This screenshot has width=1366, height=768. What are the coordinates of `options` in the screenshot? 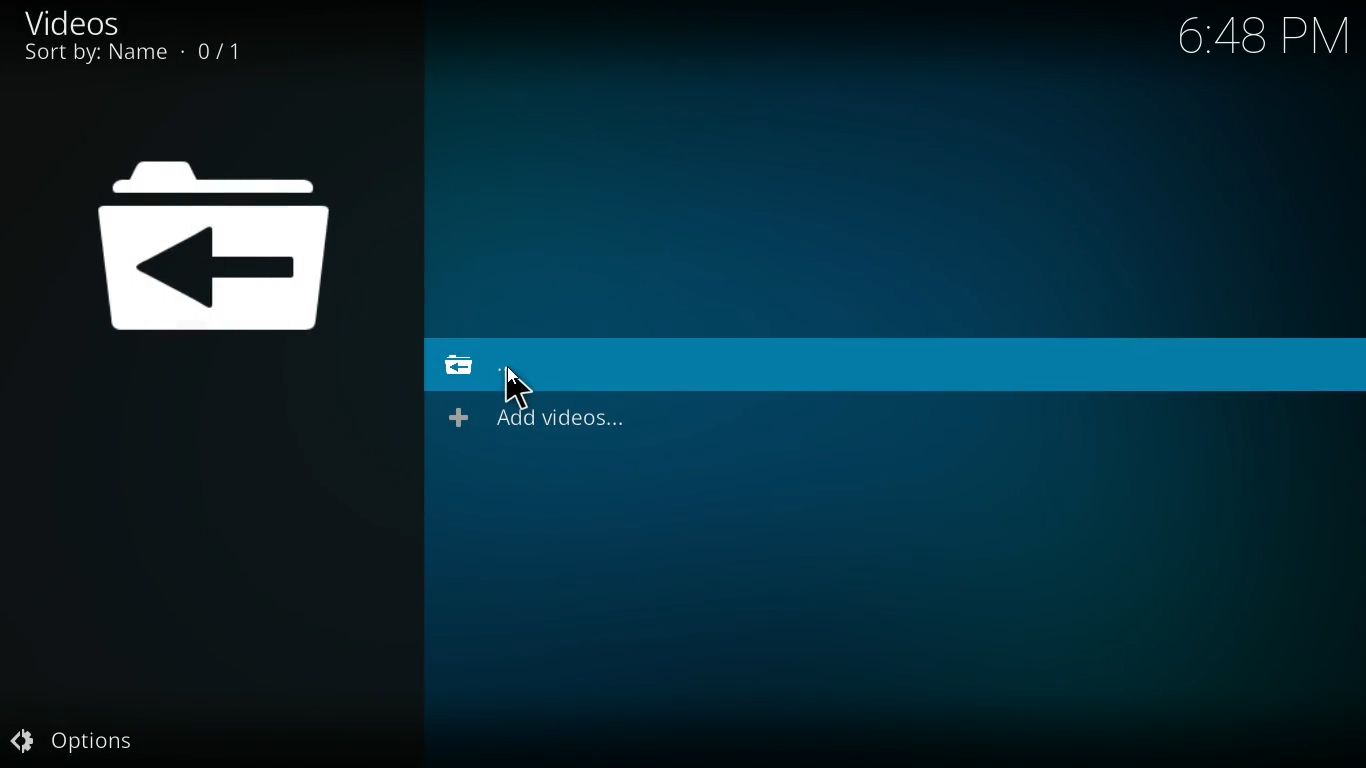 It's located at (79, 735).